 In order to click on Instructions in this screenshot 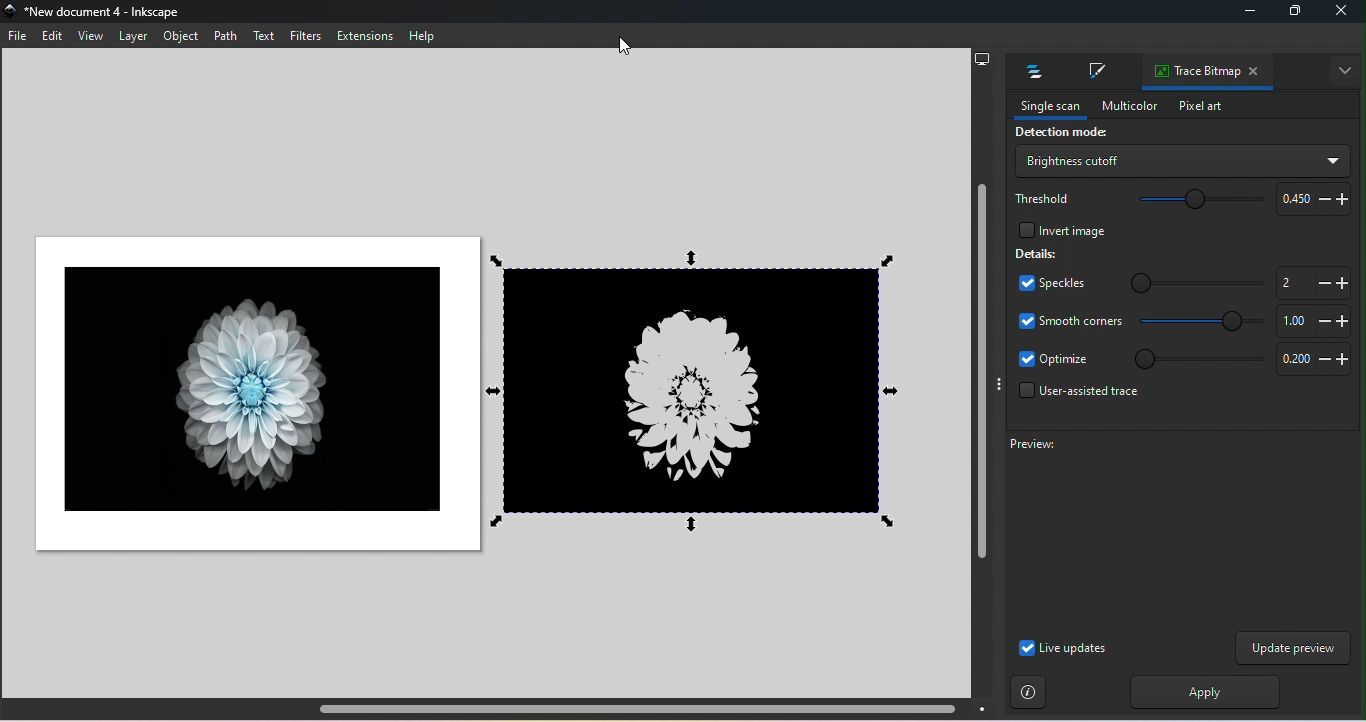, I will do `click(1029, 693)`.